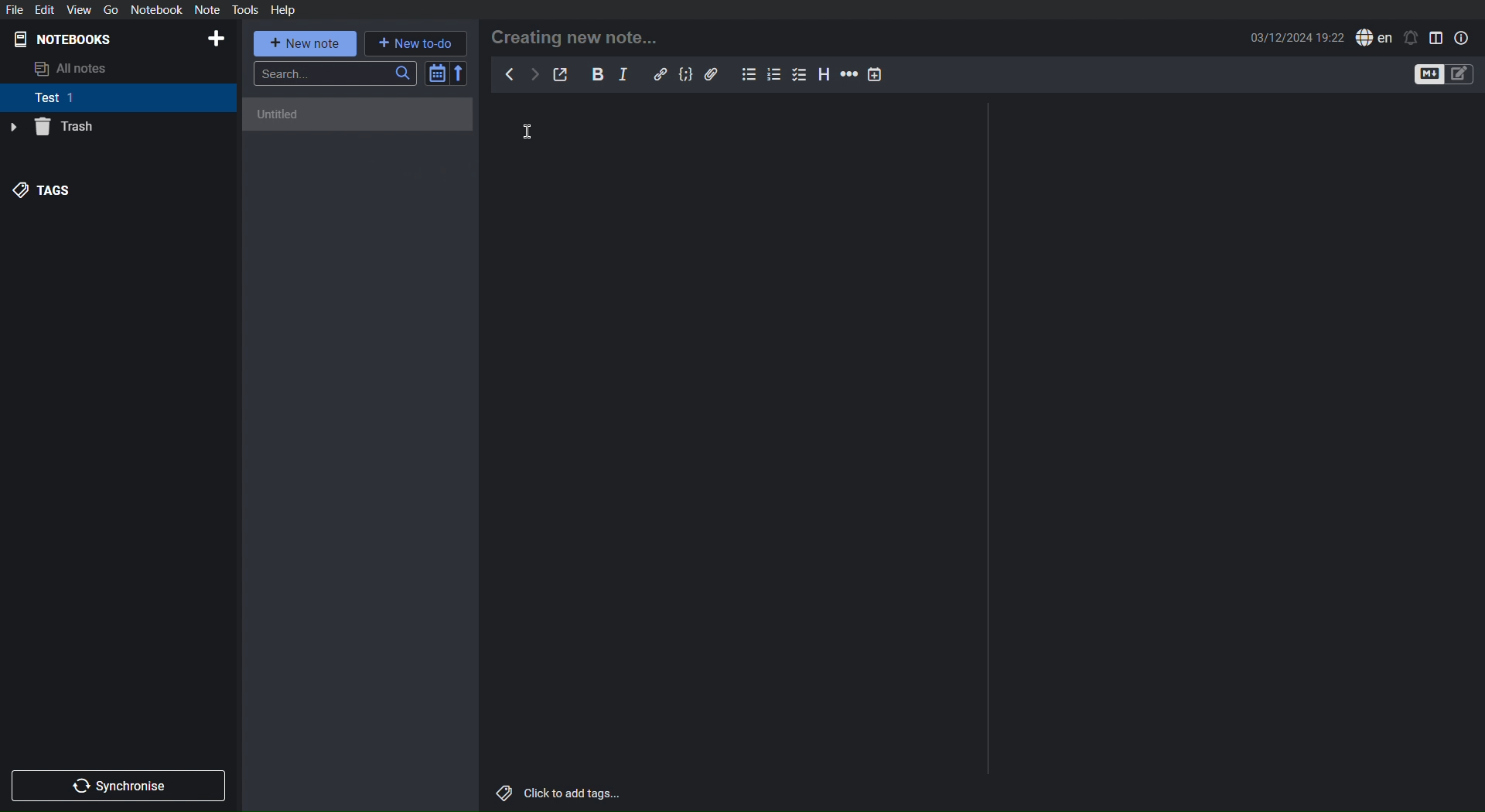 This screenshot has height=812, width=1485. I want to click on Trash, so click(51, 128).